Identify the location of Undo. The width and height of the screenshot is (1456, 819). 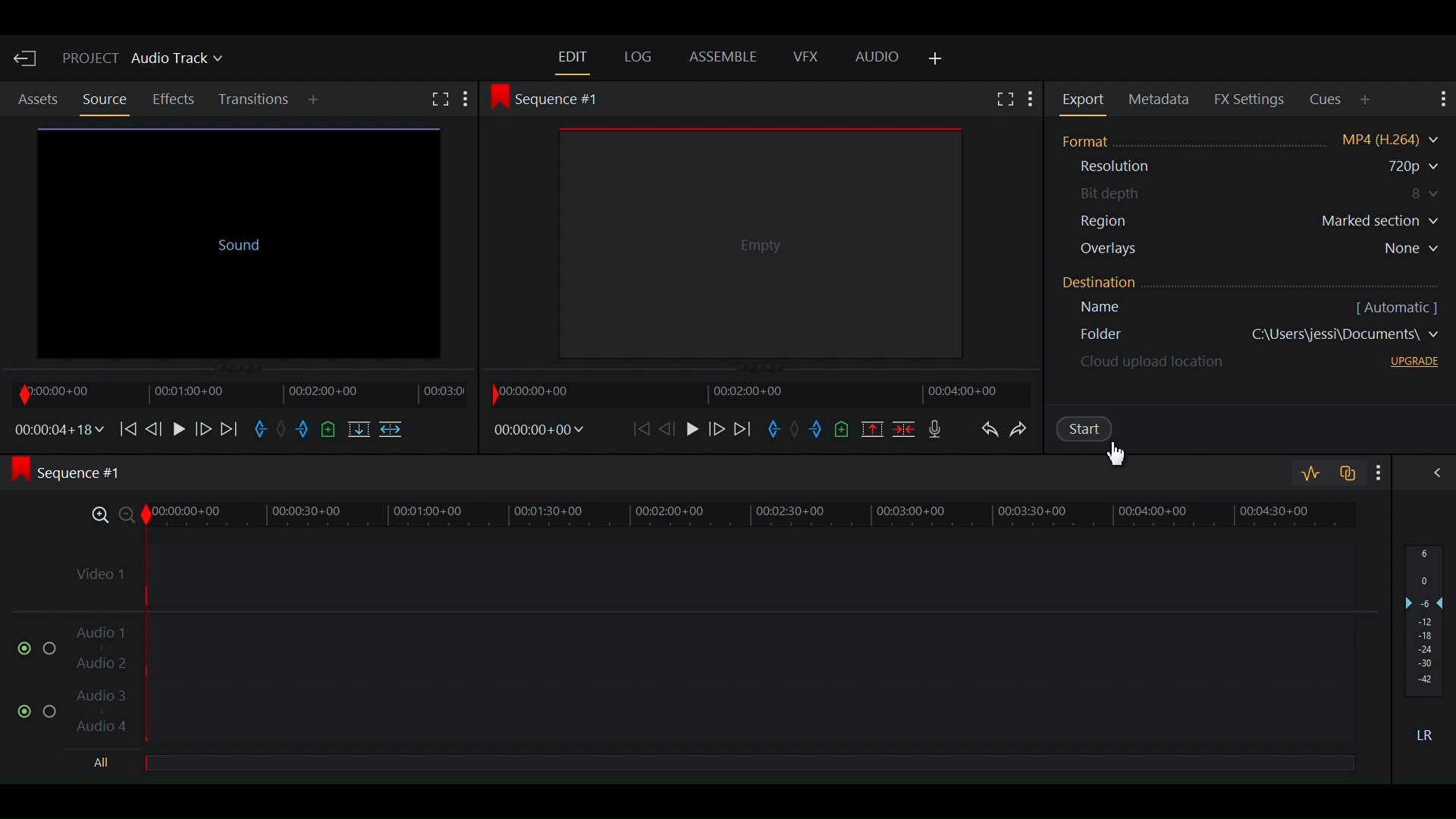
(989, 432).